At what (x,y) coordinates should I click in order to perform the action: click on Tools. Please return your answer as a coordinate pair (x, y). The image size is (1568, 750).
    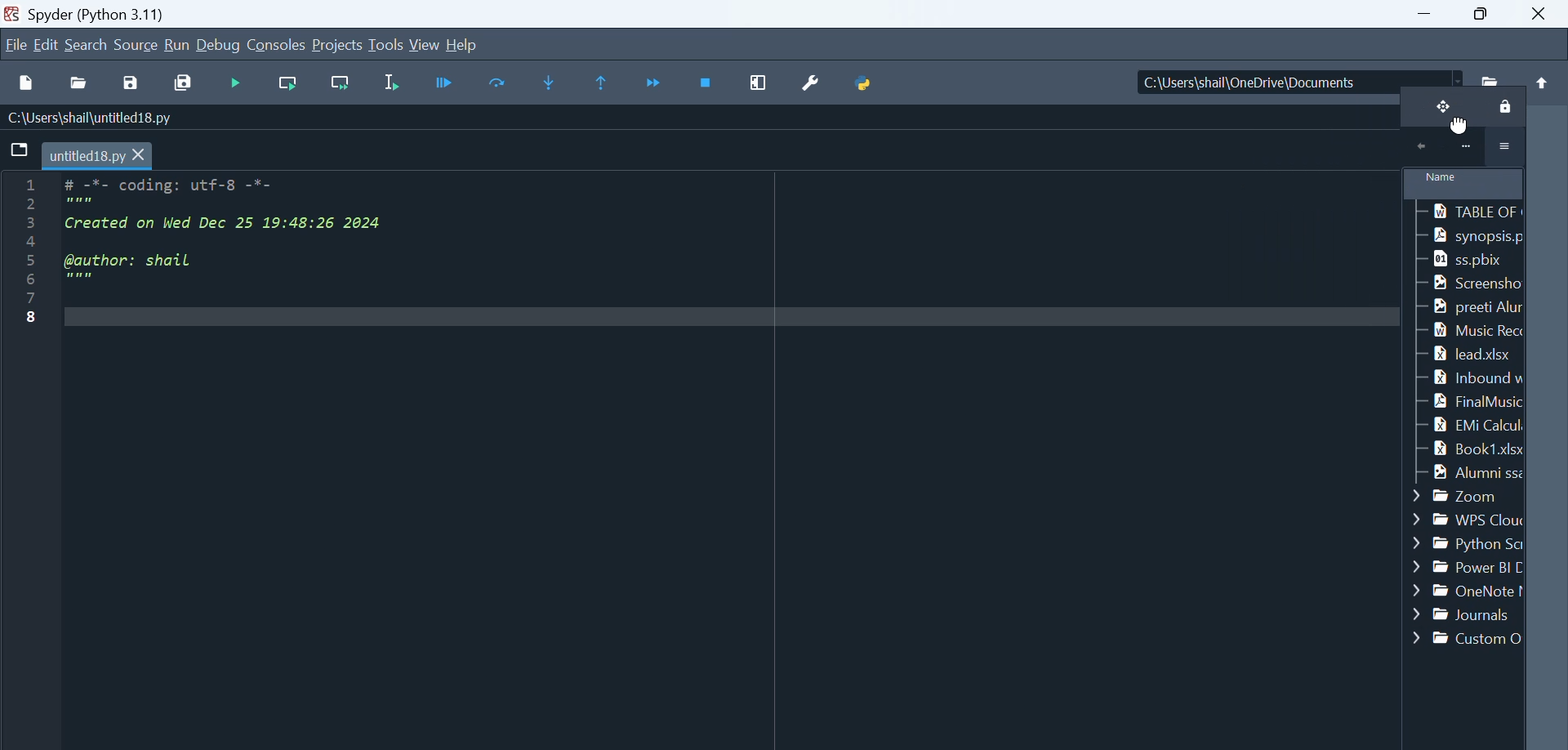
    Looking at the image, I should click on (388, 45).